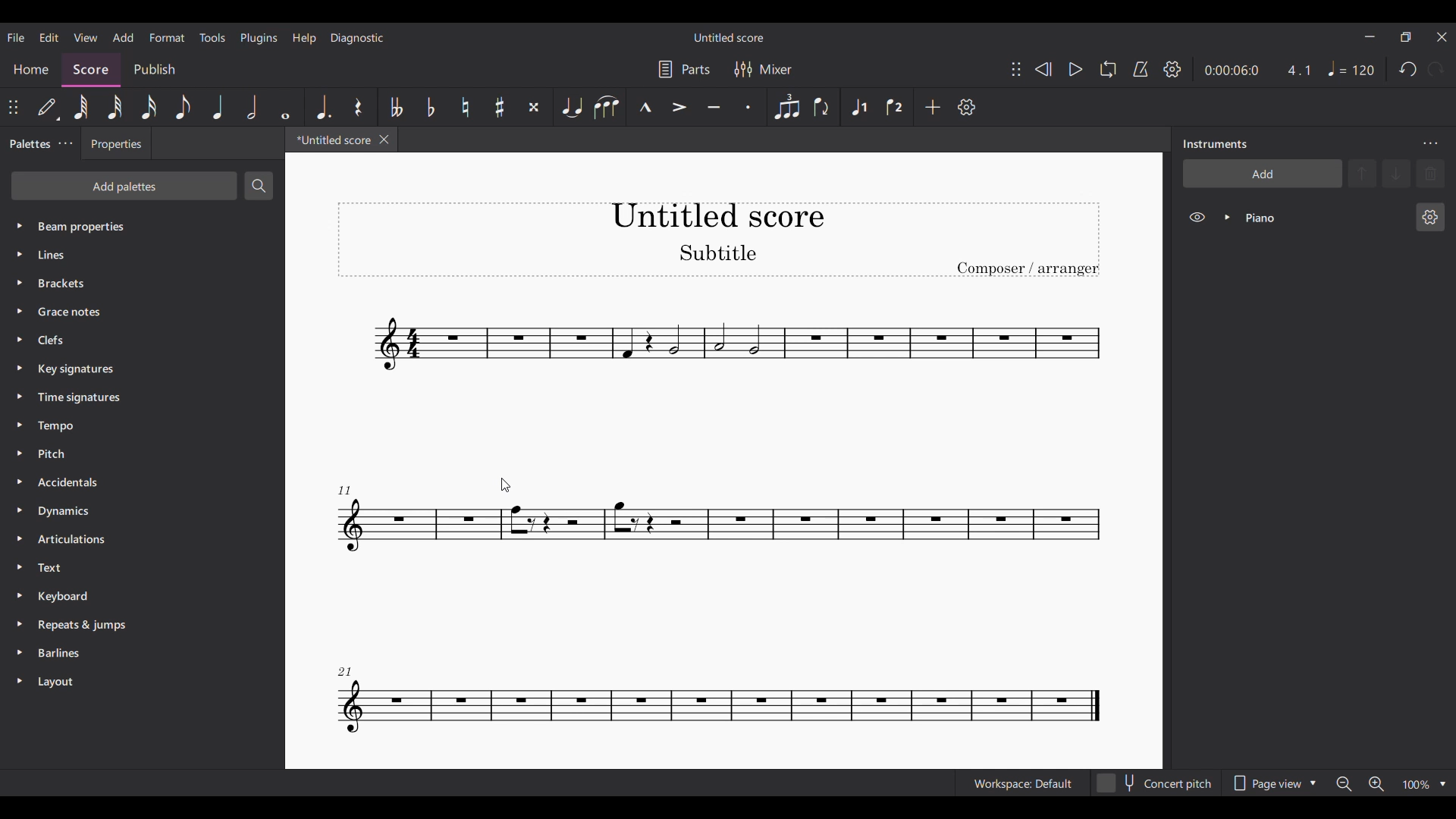 The height and width of the screenshot is (819, 1456). What do you see at coordinates (679, 108) in the screenshot?
I see `Accent` at bounding box center [679, 108].